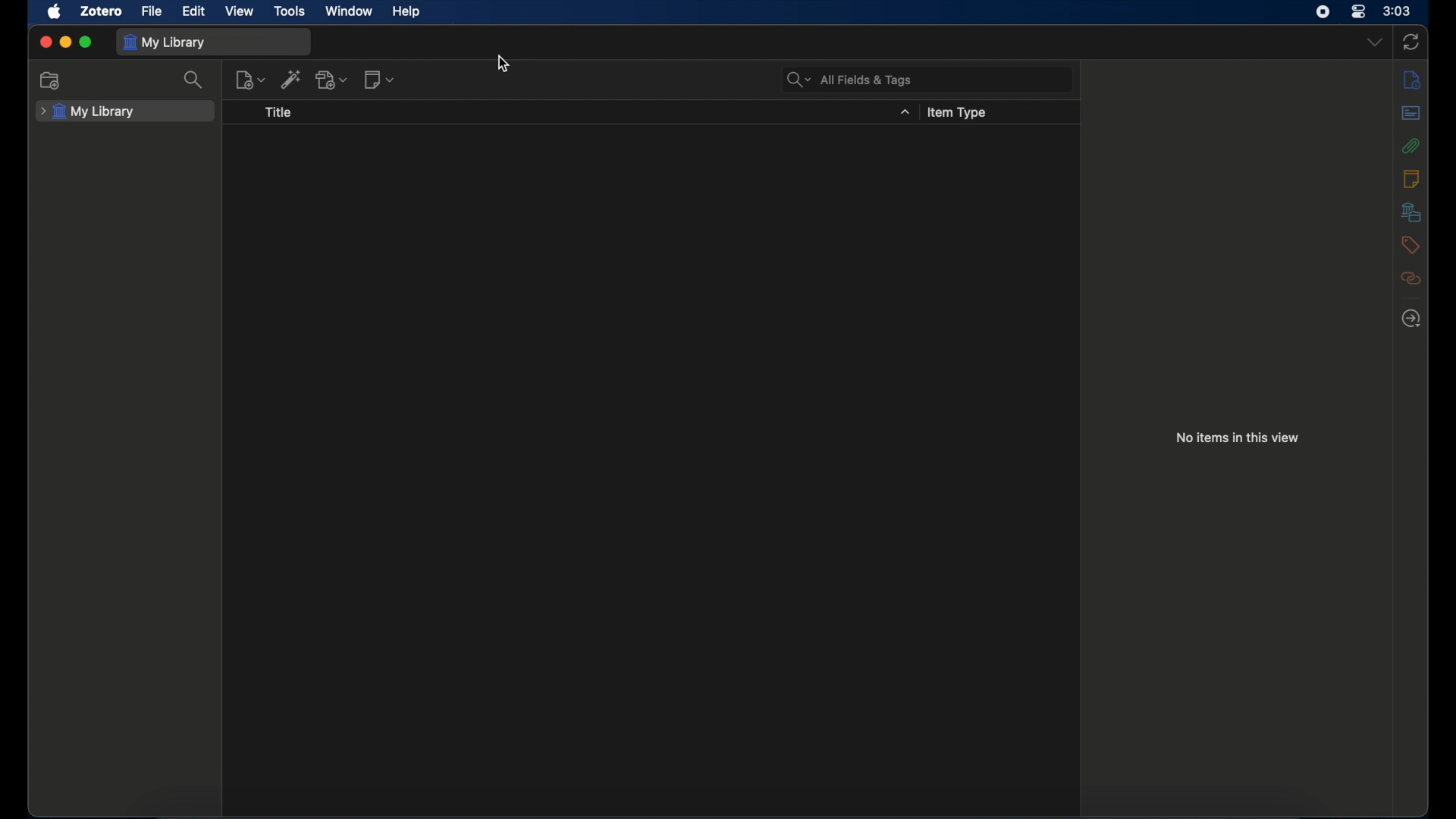 The height and width of the screenshot is (819, 1456). What do you see at coordinates (406, 12) in the screenshot?
I see `help` at bounding box center [406, 12].